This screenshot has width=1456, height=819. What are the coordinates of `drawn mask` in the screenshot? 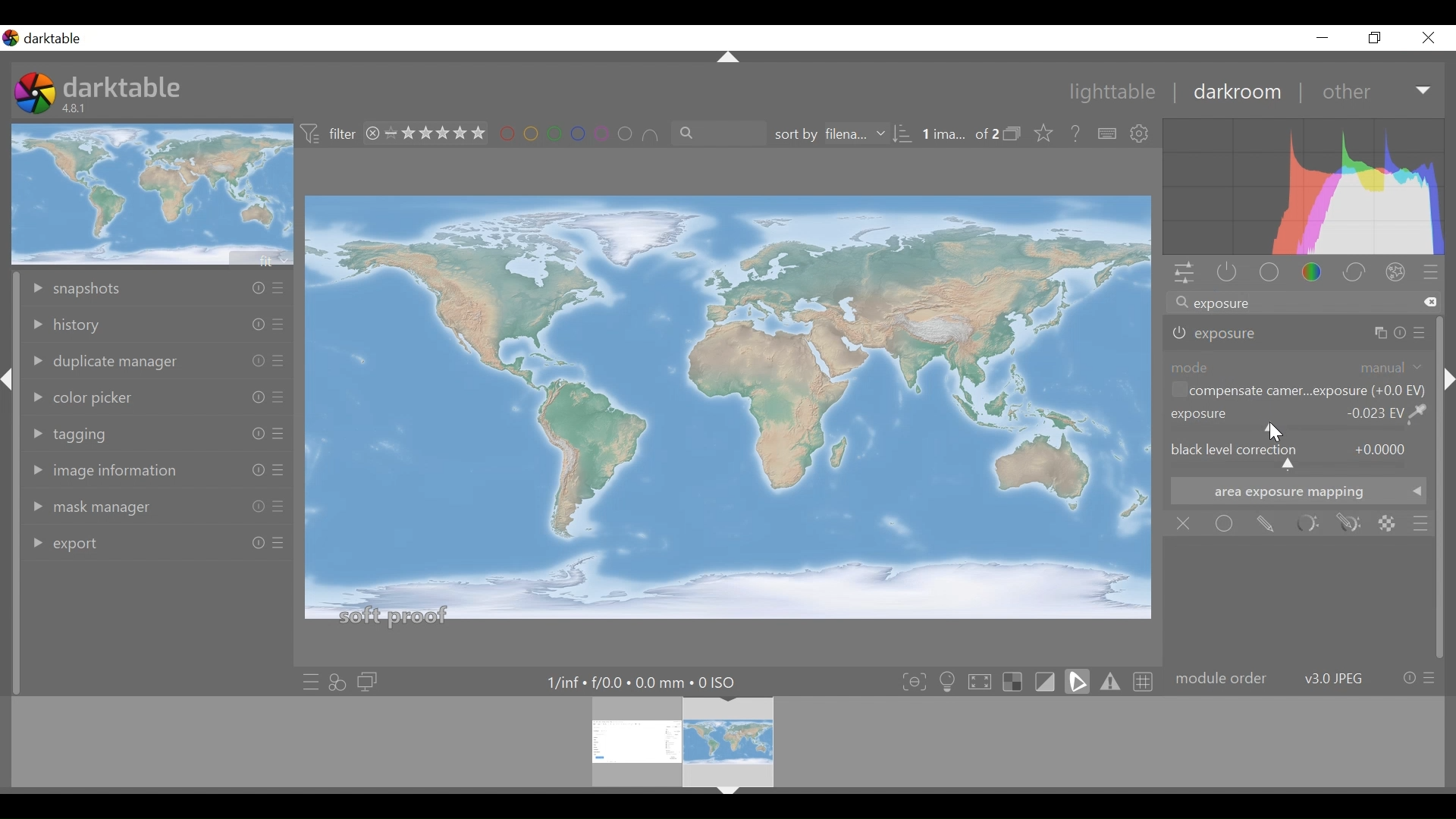 It's located at (1264, 524).